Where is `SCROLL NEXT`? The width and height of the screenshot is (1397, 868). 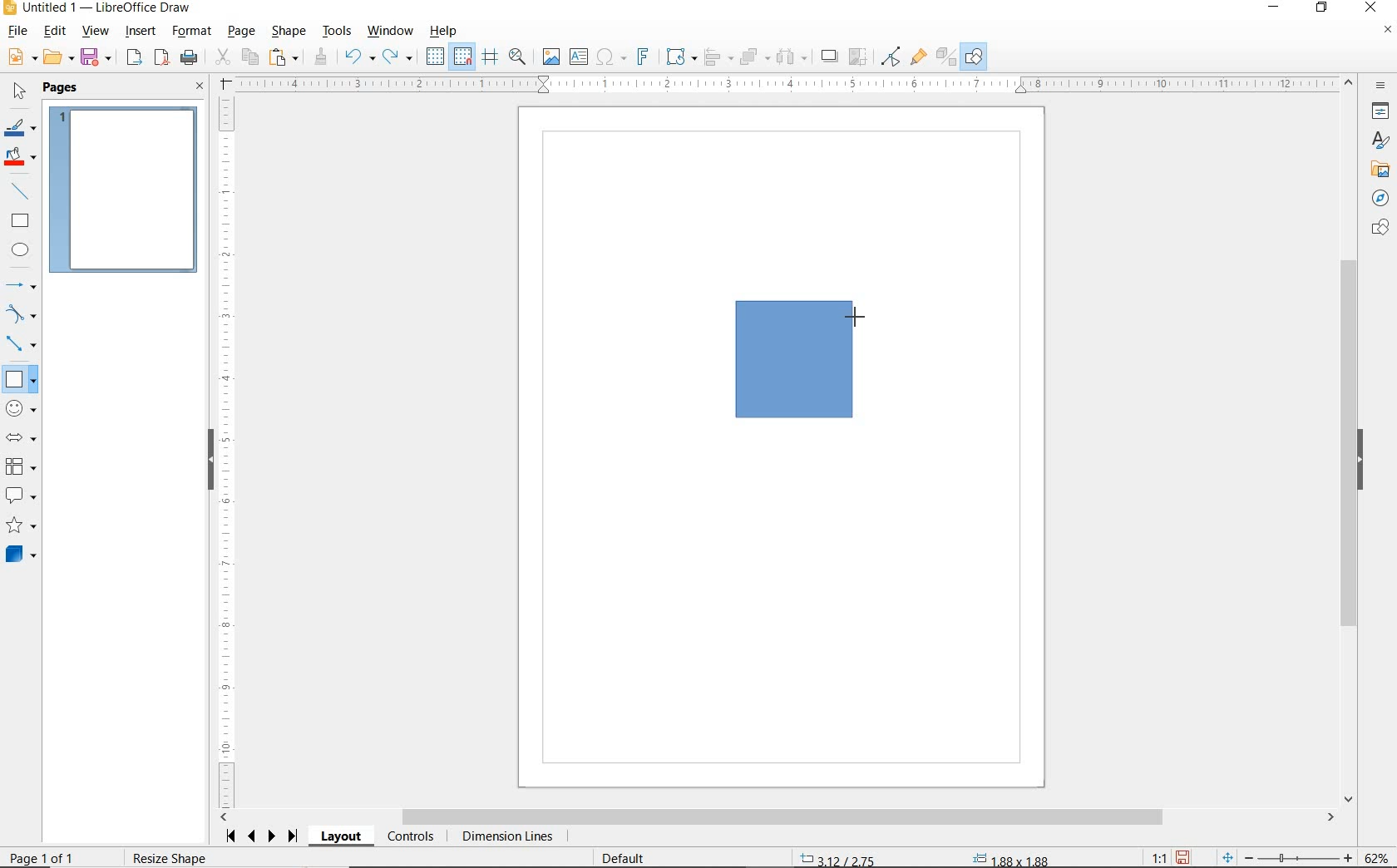
SCROLL NEXT is located at coordinates (263, 836).